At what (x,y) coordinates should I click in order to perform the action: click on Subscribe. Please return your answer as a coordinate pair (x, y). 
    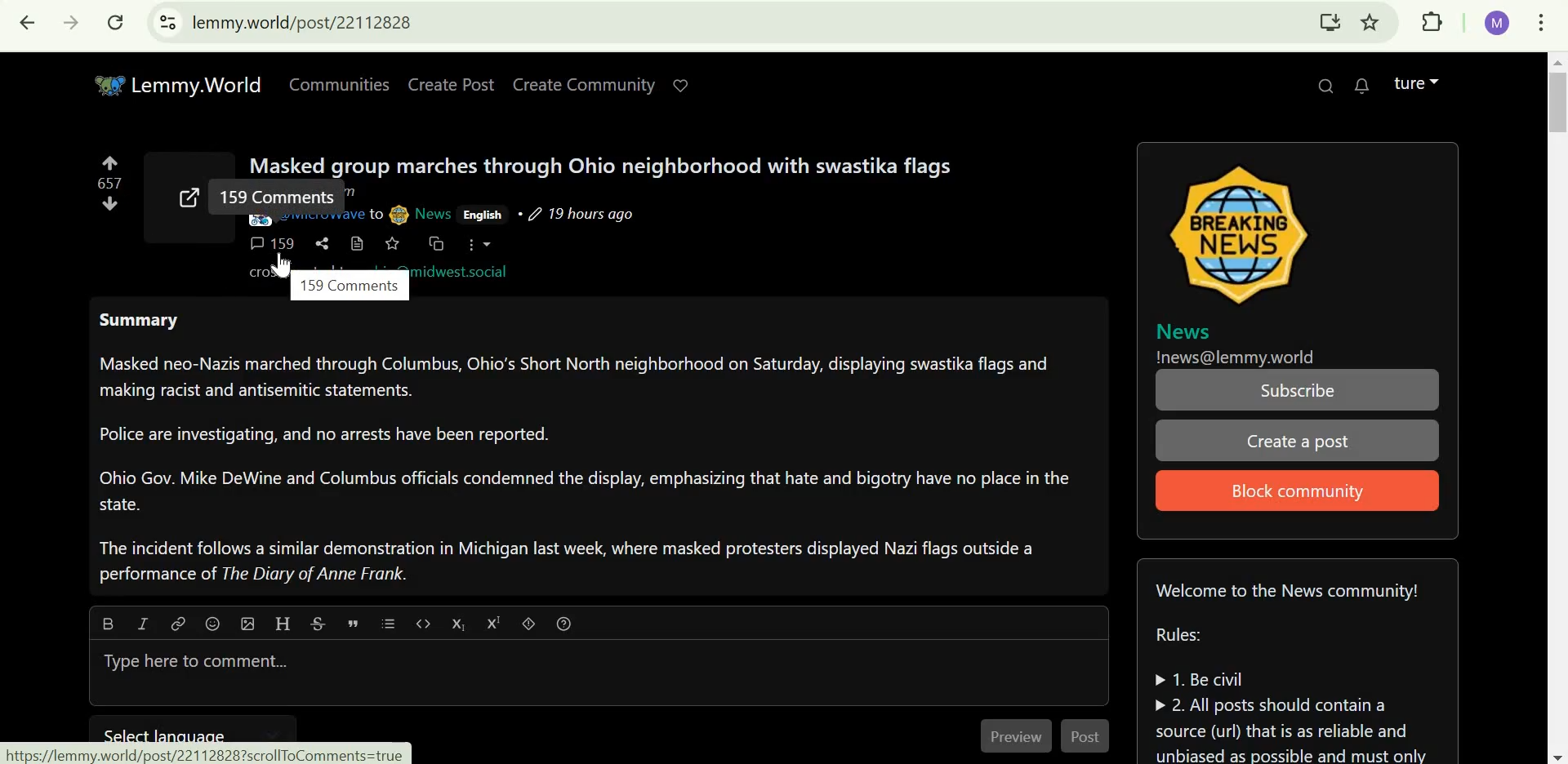
    Looking at the image, I should click on (1294, 390).